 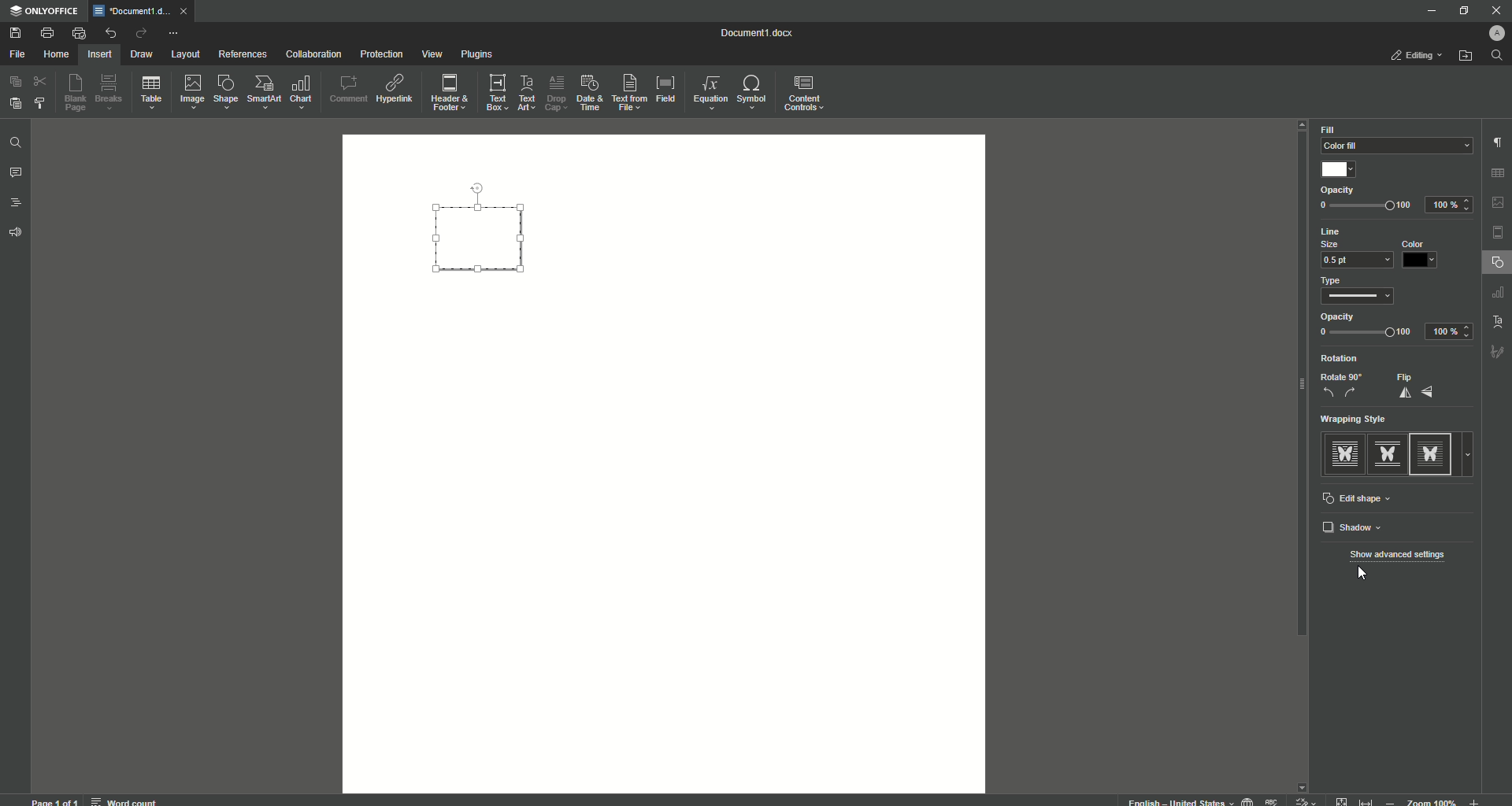 I want to click on Line , so click(x=1340, y=232).